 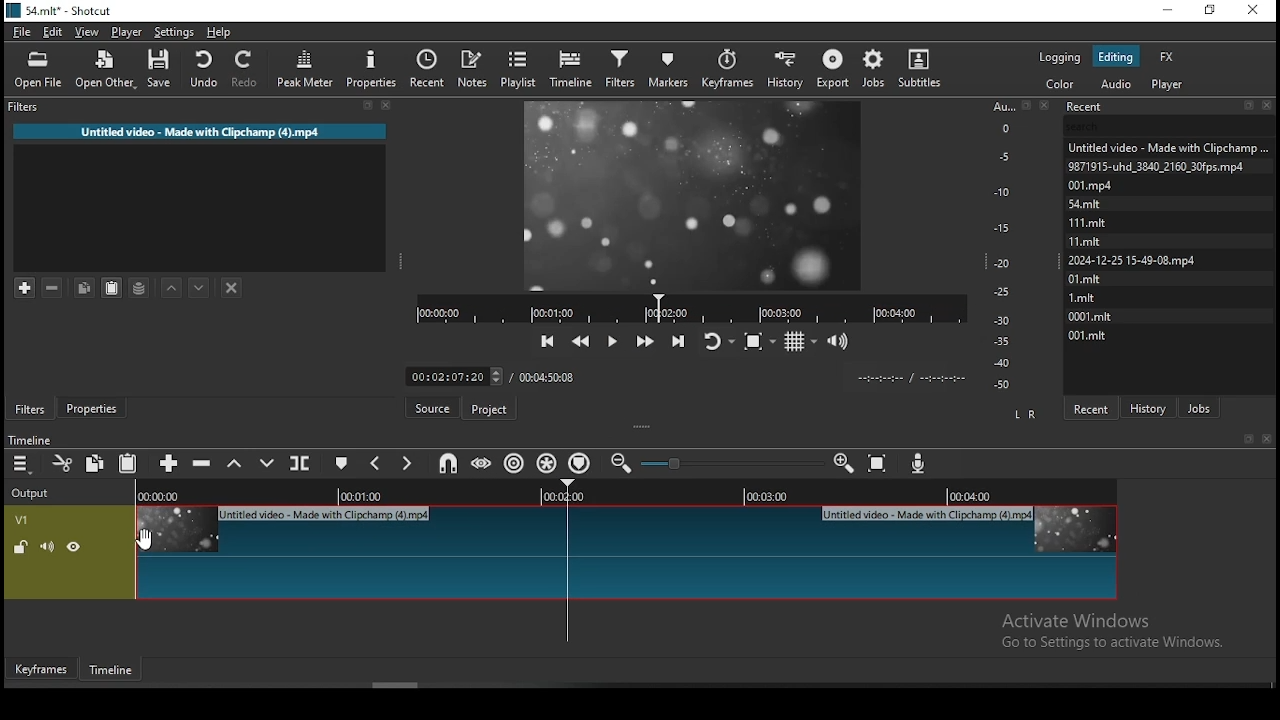 What do you see at coordinates (583, 339) in the screenshot?
I see `play quickly backwards` at bounding box center [583, 339].